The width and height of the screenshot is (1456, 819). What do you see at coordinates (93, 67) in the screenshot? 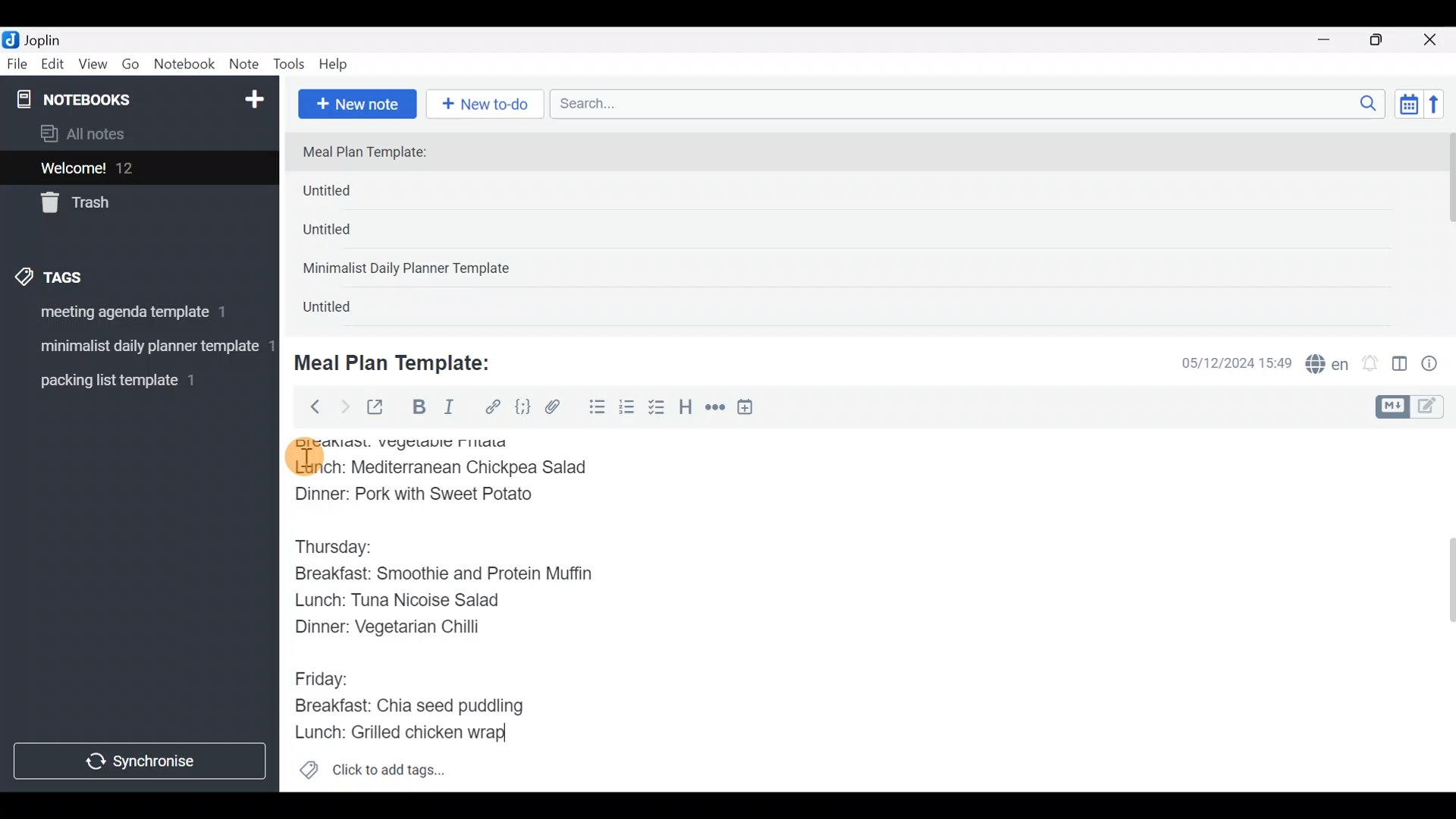
I see `View` at bounding box center [93, 67].